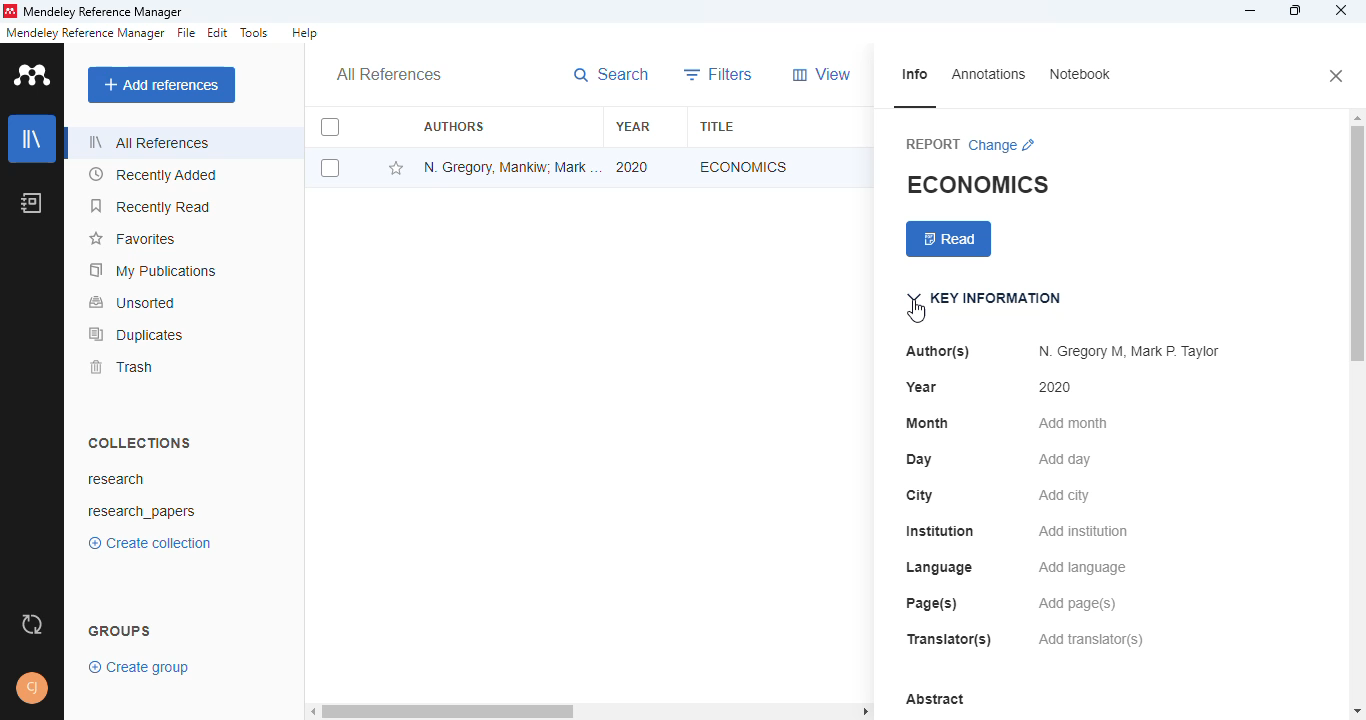 Image resolution: width=1366 pixels, height=720 pixels. Describe the element at coordinates (1130, 350) in the screenshot. I see `N. Gregory M, Mark P. Taylor` at that location.